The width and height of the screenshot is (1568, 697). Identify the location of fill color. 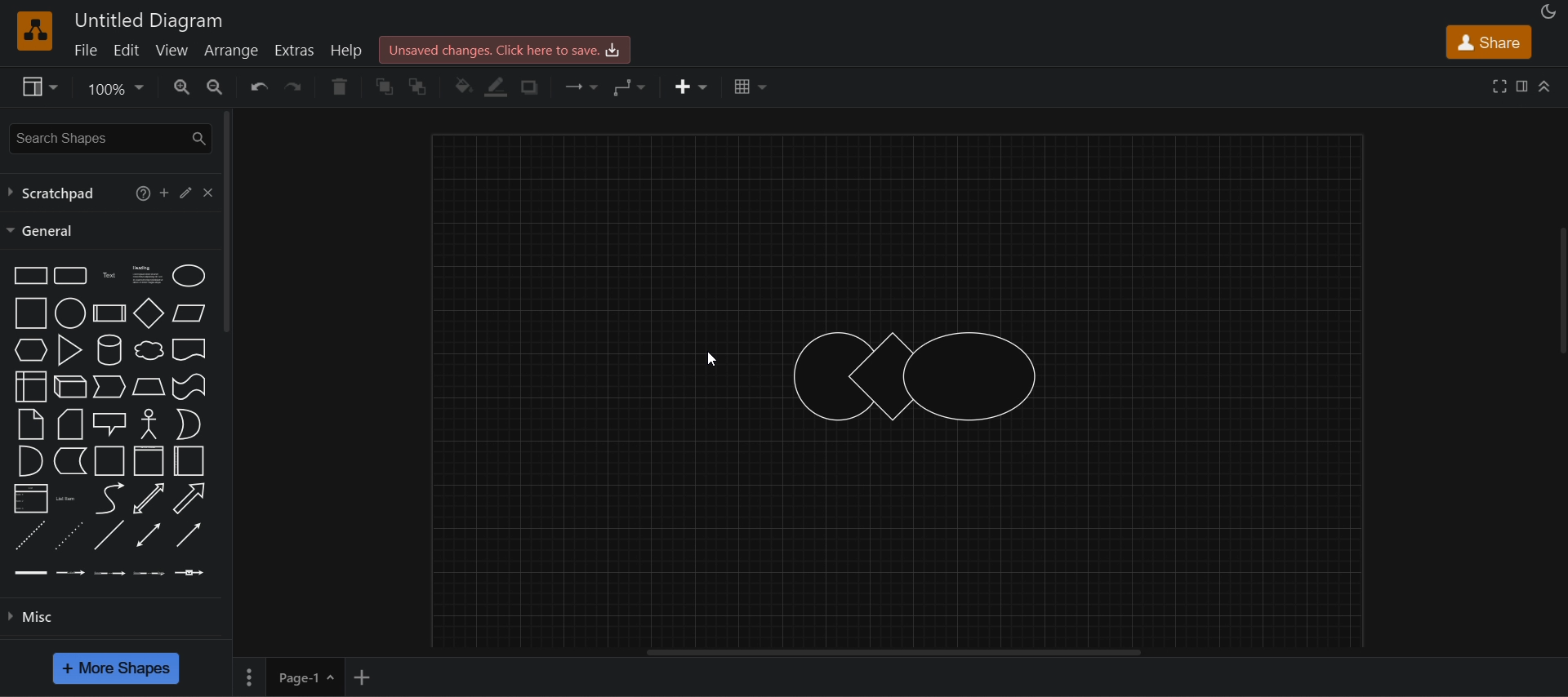
(464, 87).